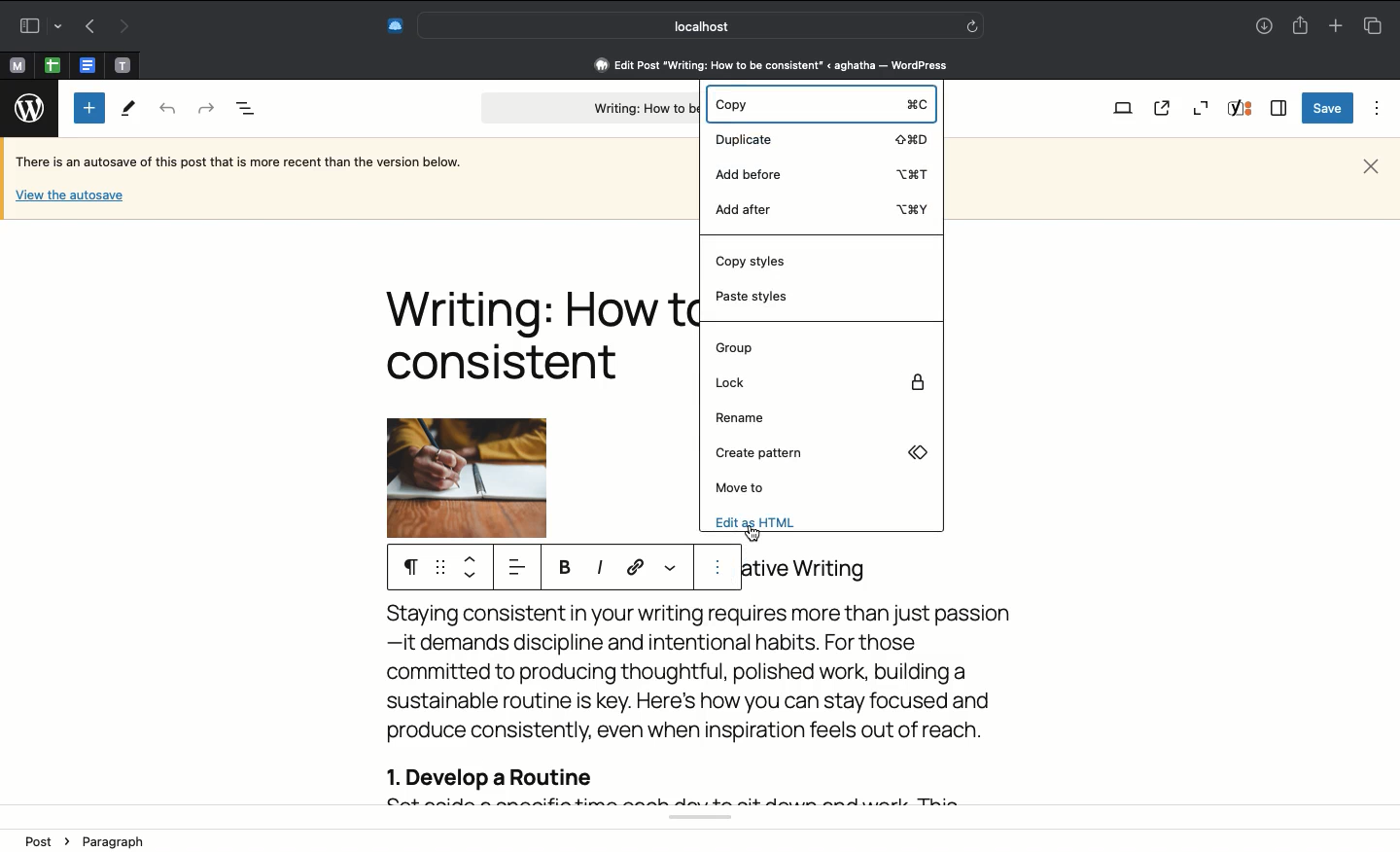  Describe the element at coordinates (246, 110) in the screenshot. I see `Document overview` at that location.